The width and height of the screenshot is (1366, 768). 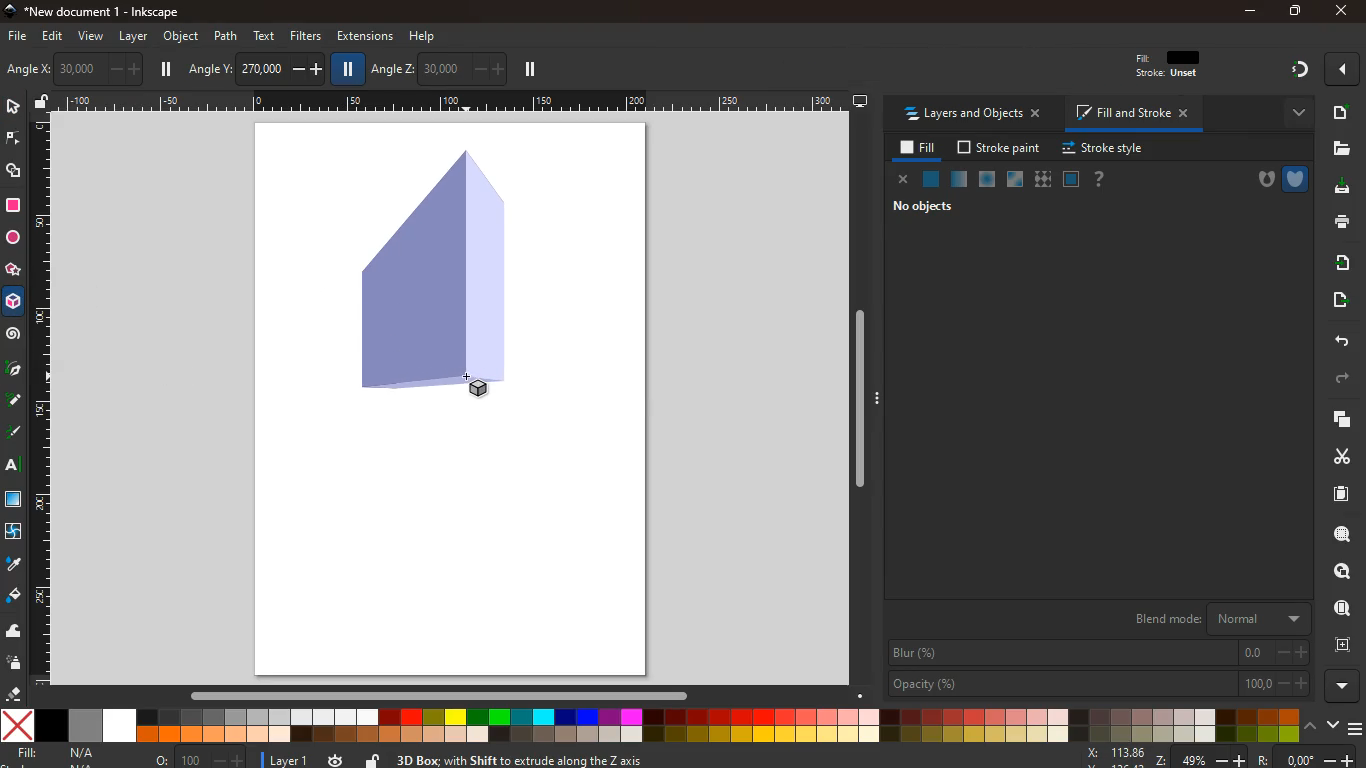 What do you see at coordinates (15, 694) in the screenshot?
I see `erase` at bounding box center [15, 694].